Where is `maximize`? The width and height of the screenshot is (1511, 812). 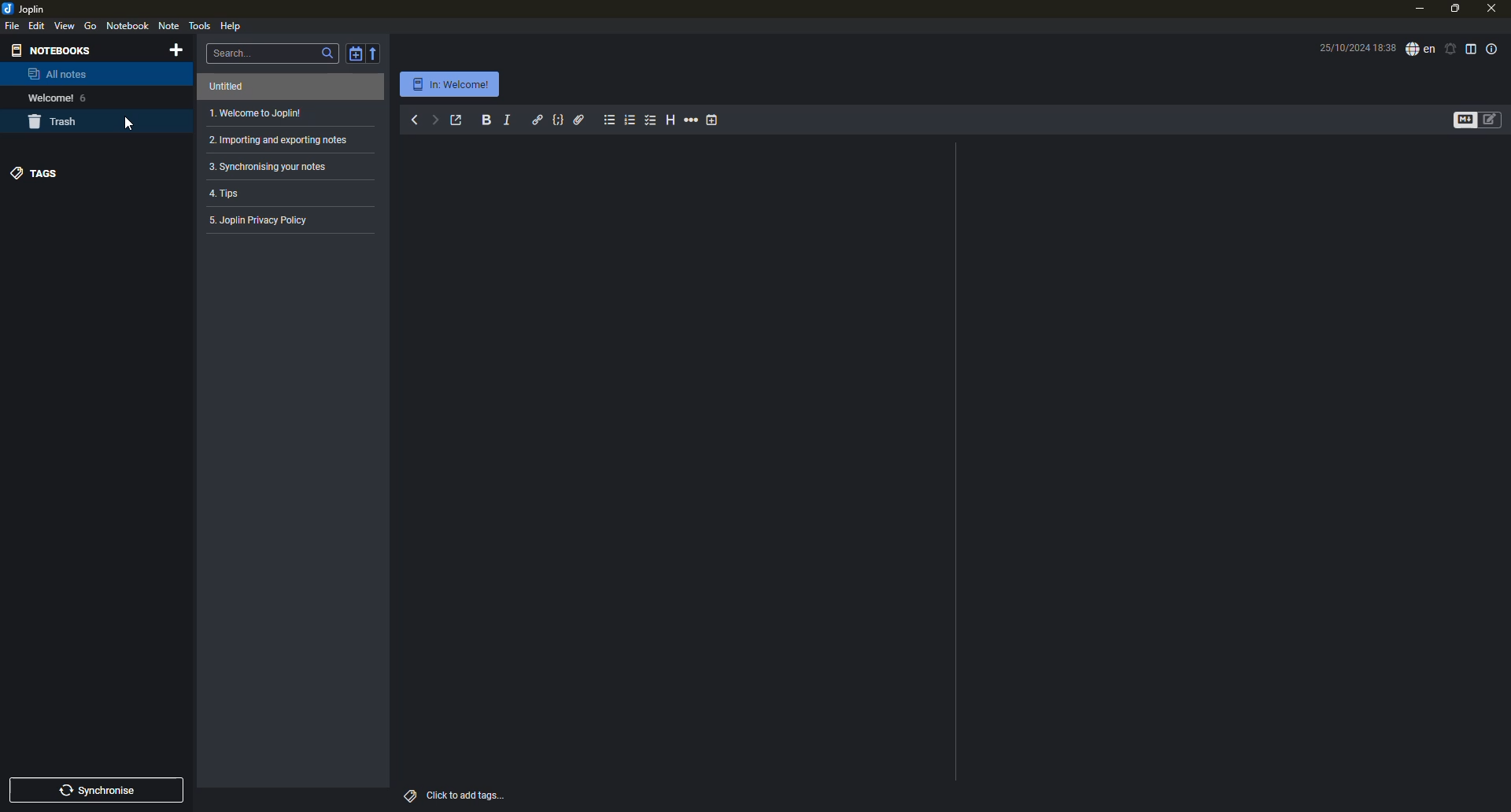
maximize is located at coordinates (1453, 9).